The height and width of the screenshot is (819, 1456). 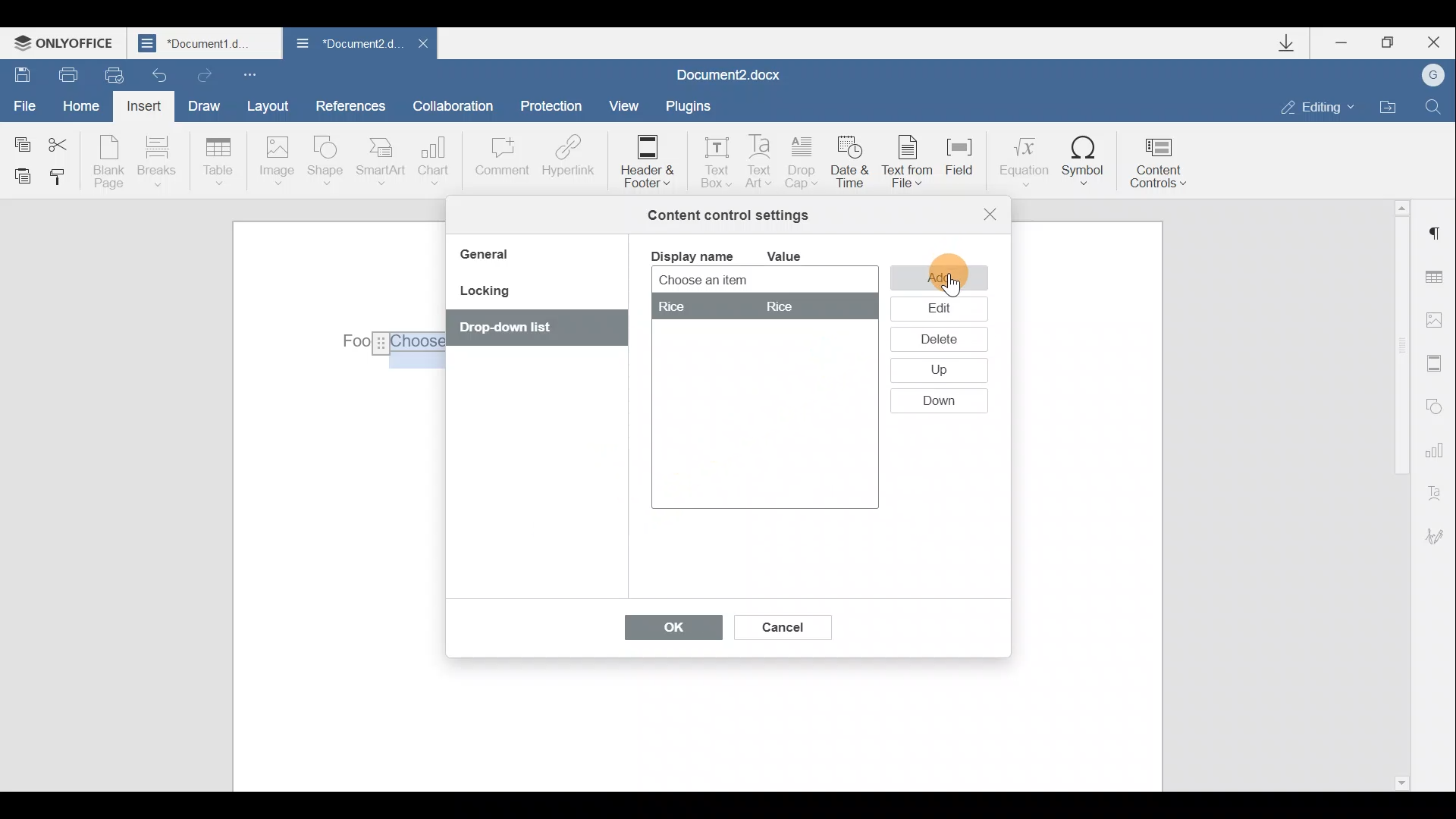 I want to click on Draw, so click(x=202, y=104).